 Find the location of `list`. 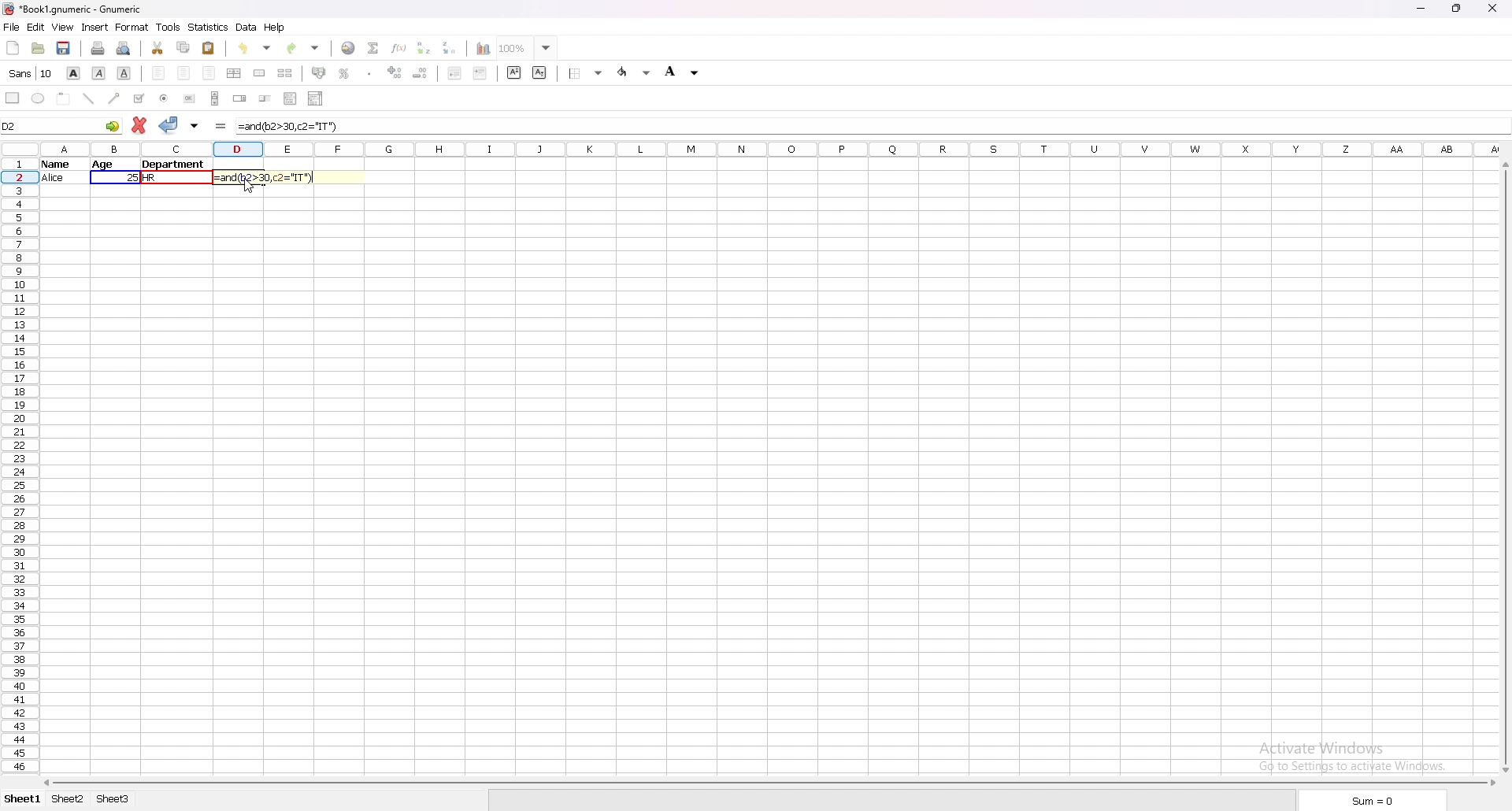

list is located at coordinates (291, 98).